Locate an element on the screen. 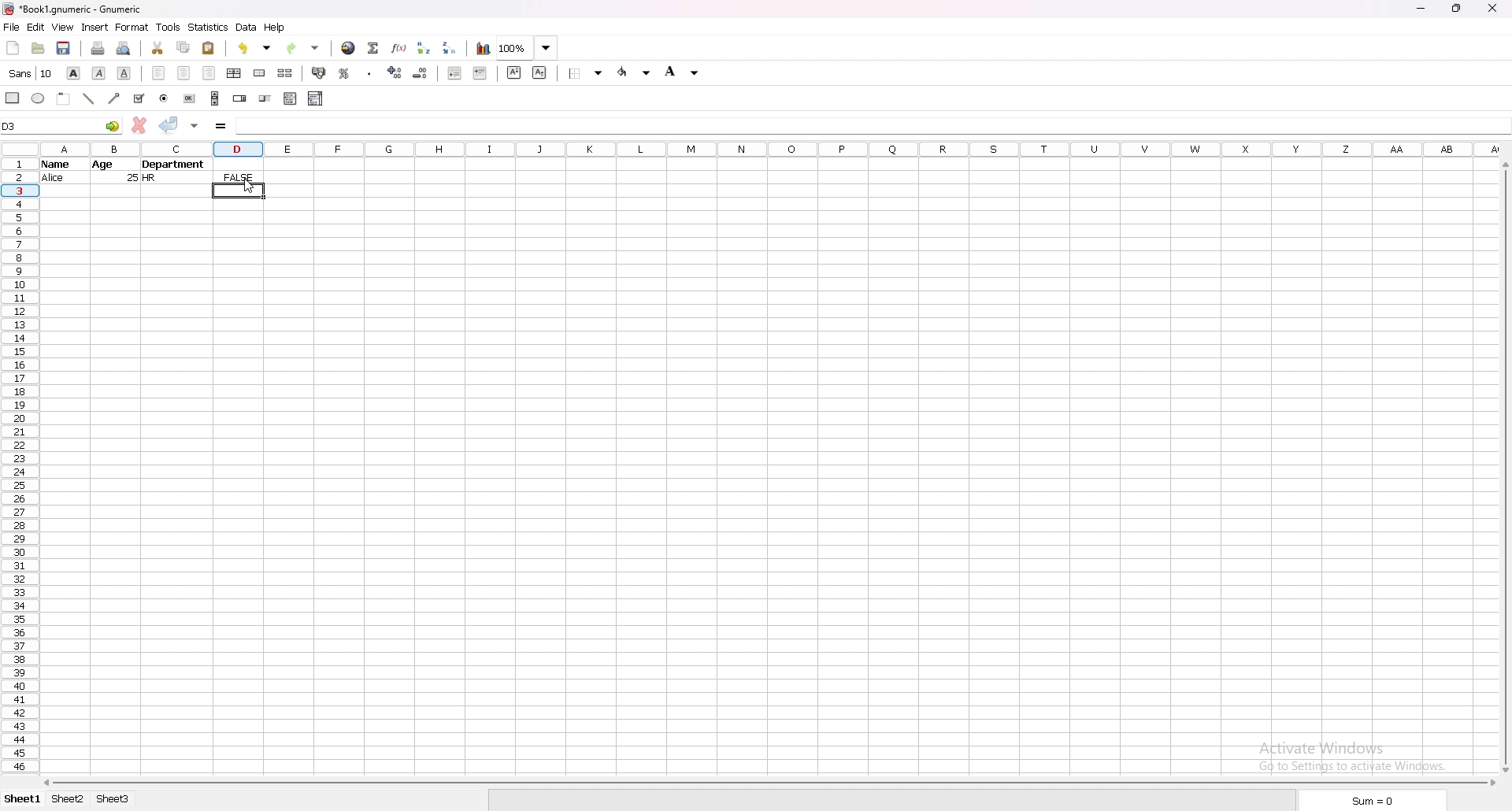 Image resolution: width=1512 pixels, height=811 pixels. accept changes is located at coordinates (169, 124).